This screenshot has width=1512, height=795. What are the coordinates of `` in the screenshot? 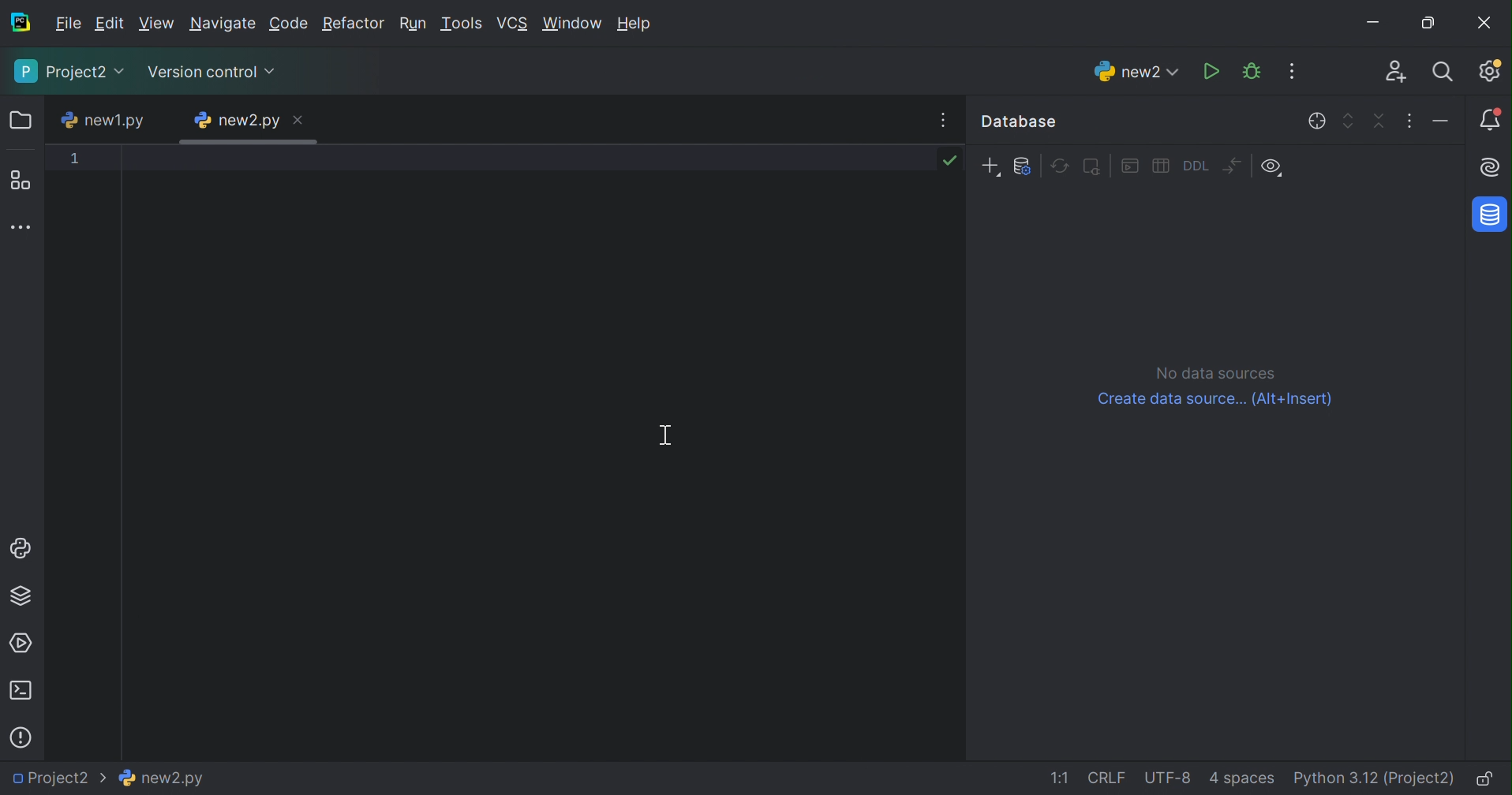 It's located at (291, 24).